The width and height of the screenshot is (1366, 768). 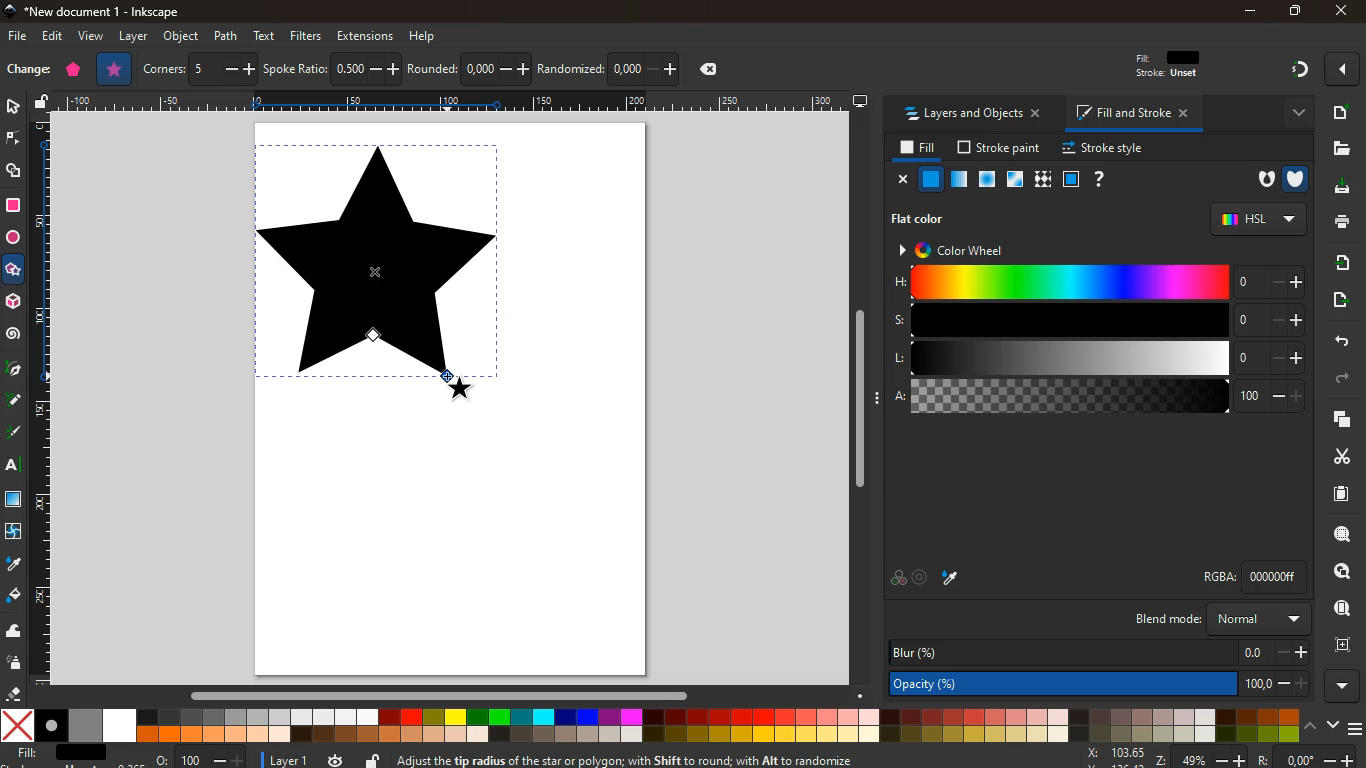 What do you see at coordinates (456, 385) in the screenshot?
I see `Shape cursor` at bounding box center [456, 385].